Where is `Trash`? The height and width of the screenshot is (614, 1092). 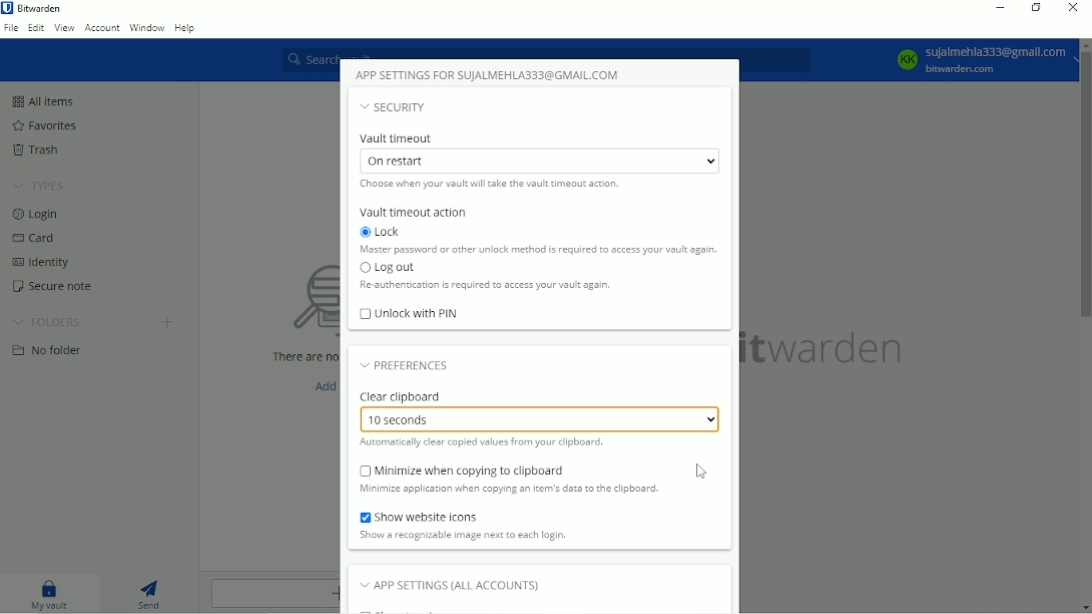 Trash is located at coordinates (37, 148).